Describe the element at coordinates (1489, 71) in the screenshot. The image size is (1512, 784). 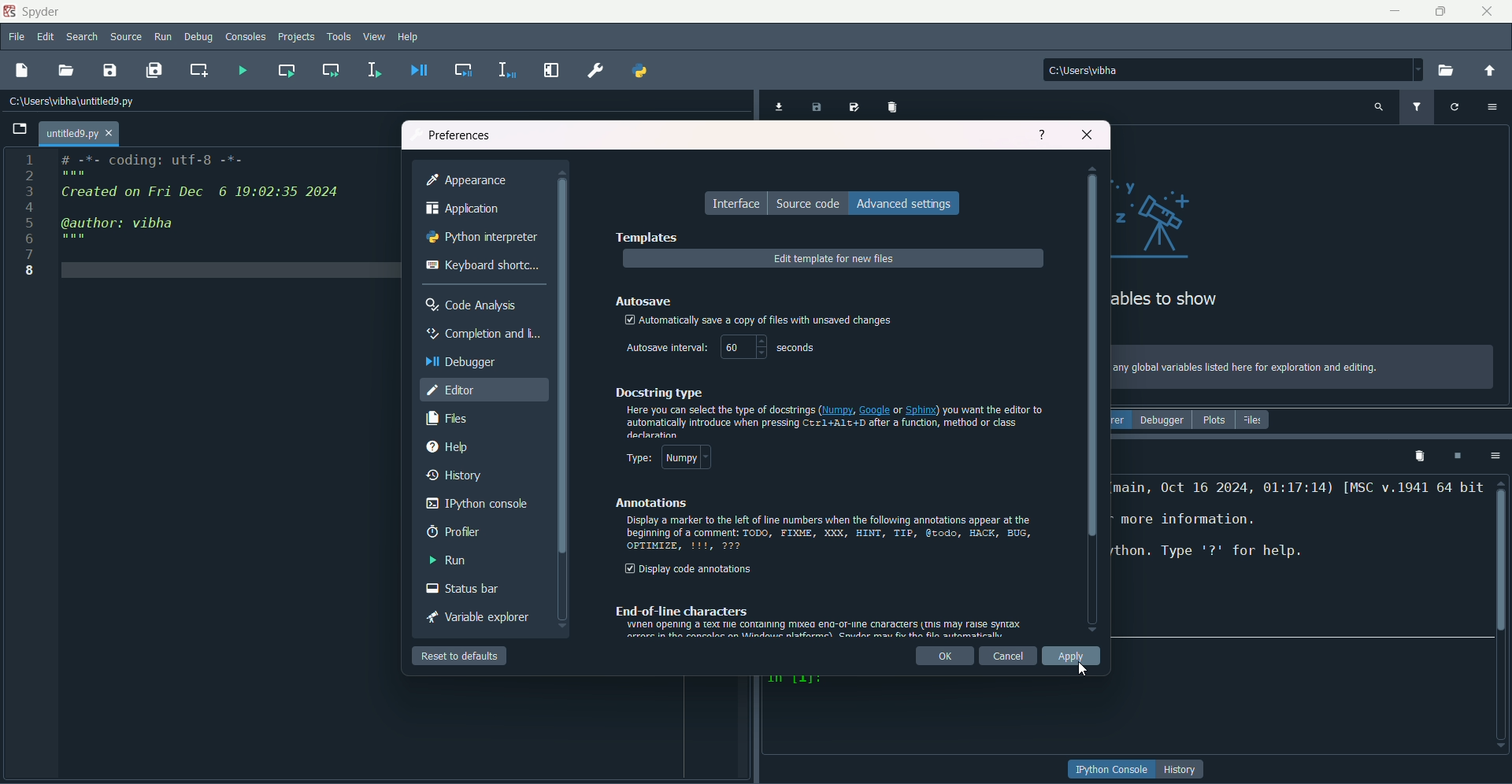
I see `change directory` at that location.